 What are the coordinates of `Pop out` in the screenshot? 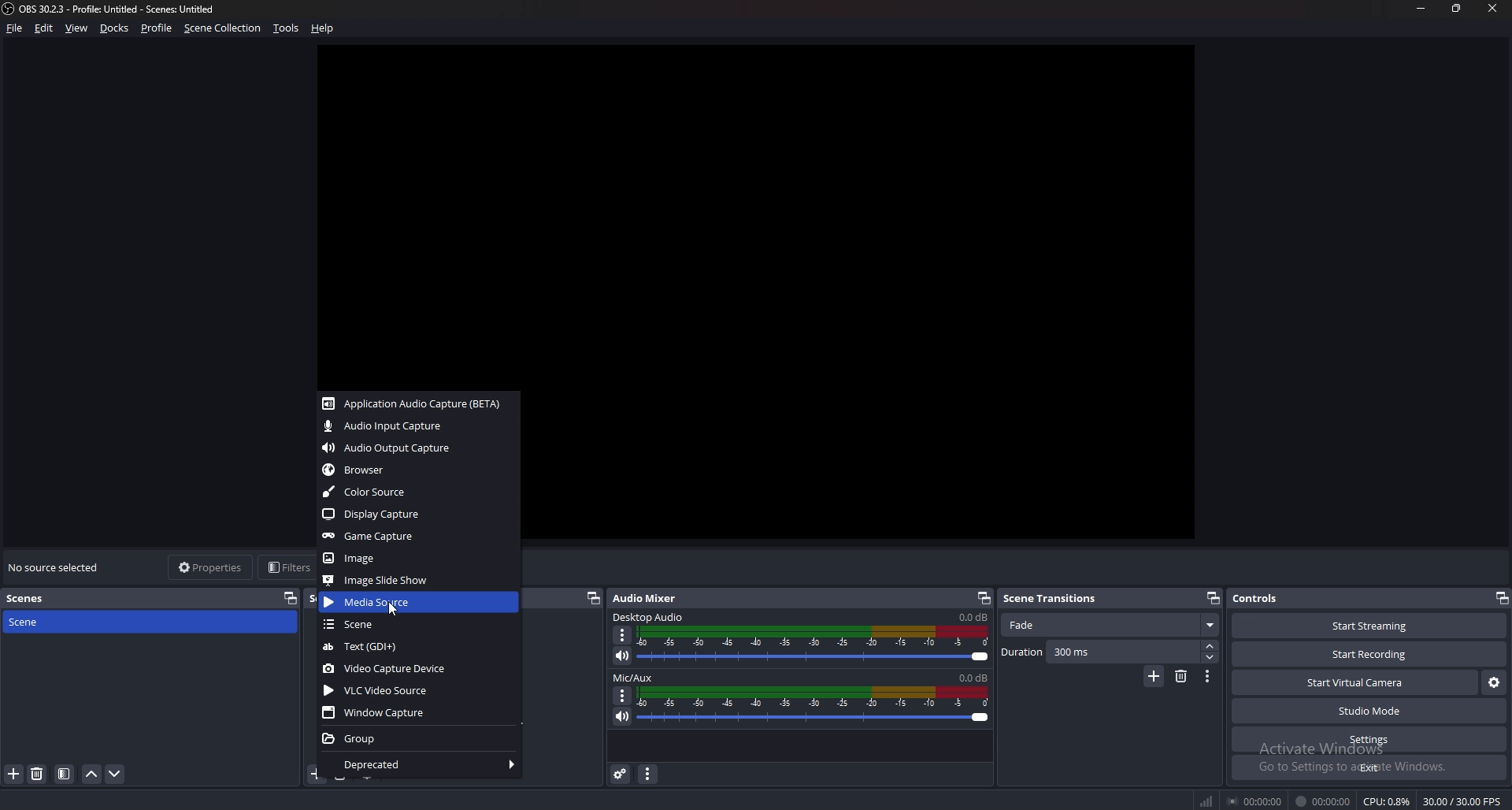 It's located at (1214, 599).